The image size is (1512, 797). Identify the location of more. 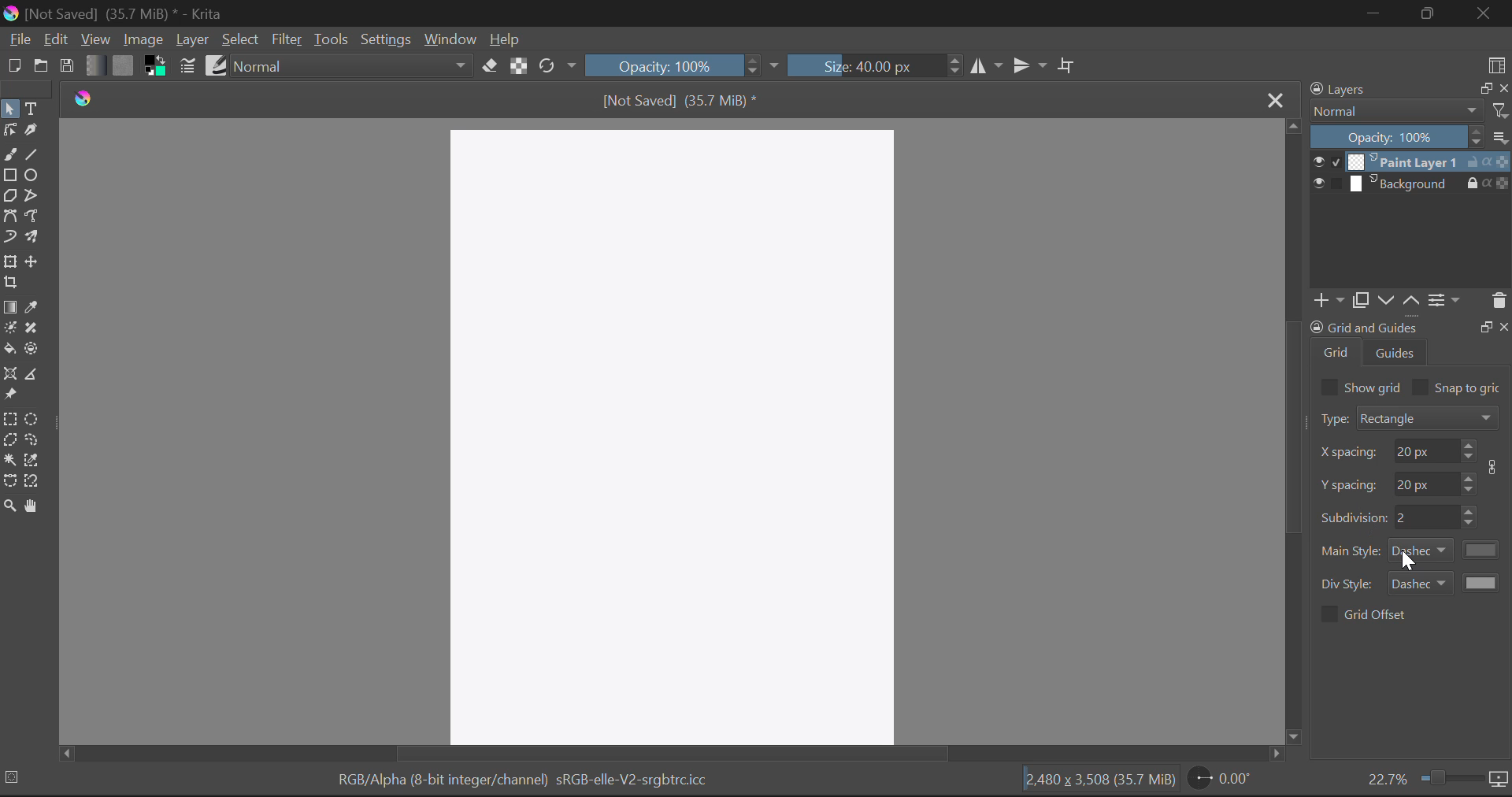
(1500, 136).